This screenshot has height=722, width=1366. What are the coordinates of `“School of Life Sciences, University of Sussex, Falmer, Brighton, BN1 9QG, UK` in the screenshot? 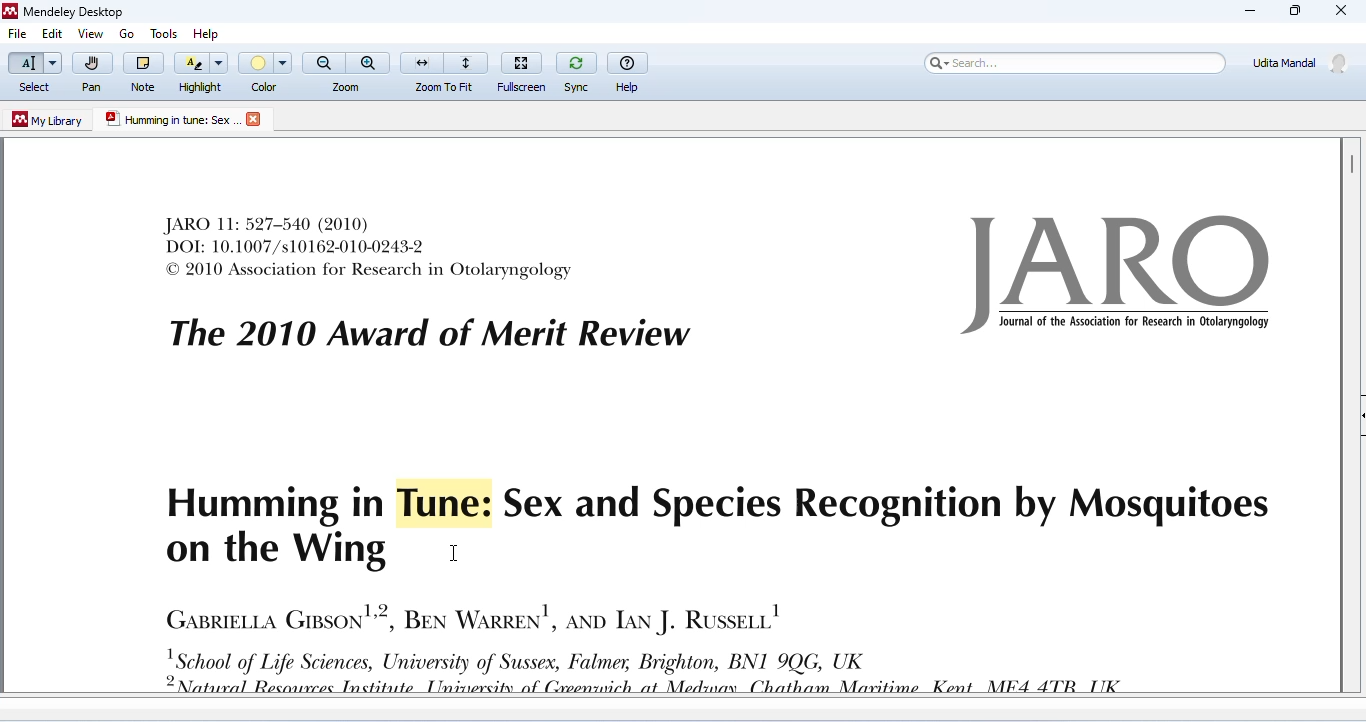 It's located at (662, 671).